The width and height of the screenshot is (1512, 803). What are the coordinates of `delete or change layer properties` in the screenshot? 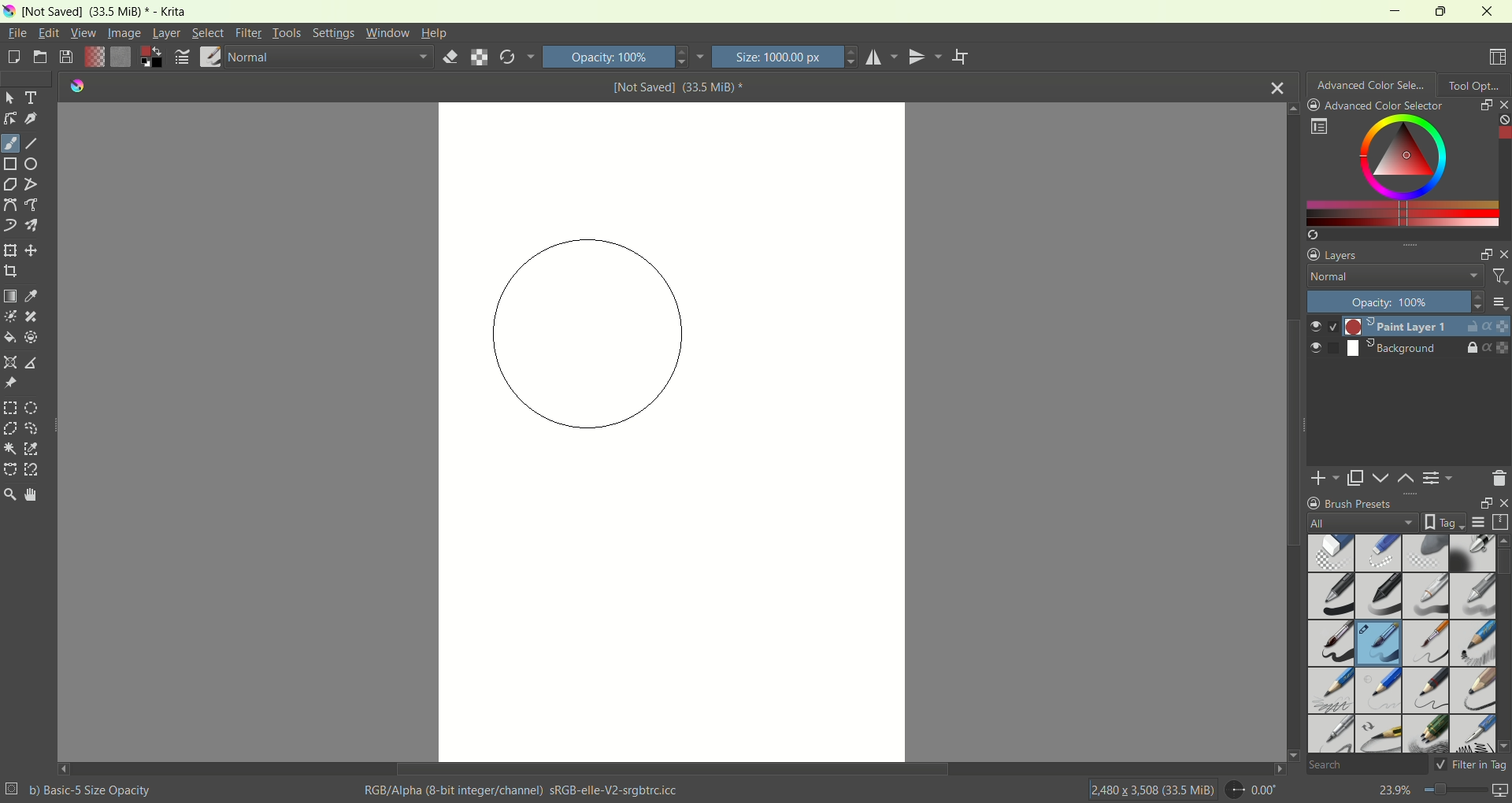 It's located at (1440, 480).